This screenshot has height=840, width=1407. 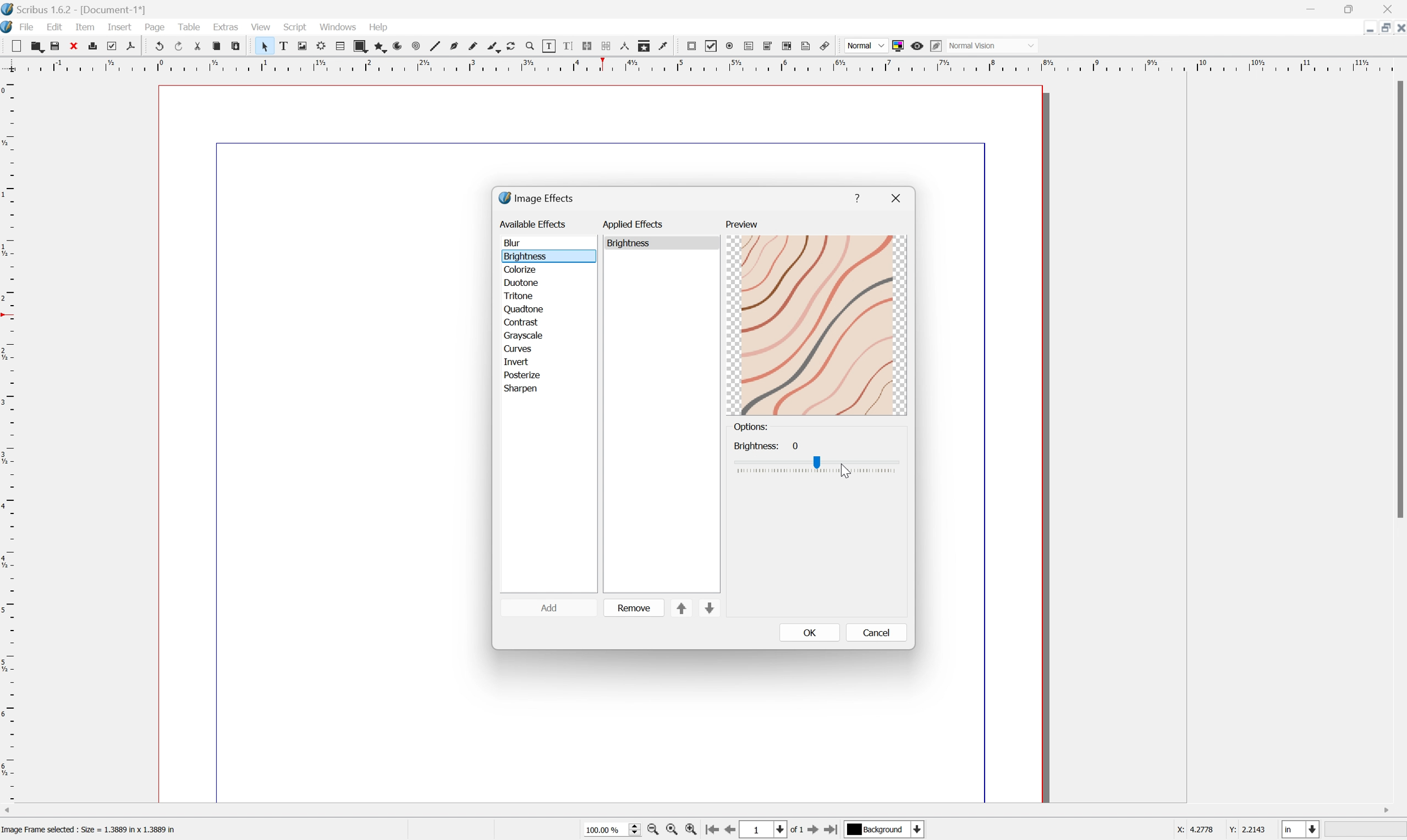 I want to click on coordinates, so click(x=1221, y=832).